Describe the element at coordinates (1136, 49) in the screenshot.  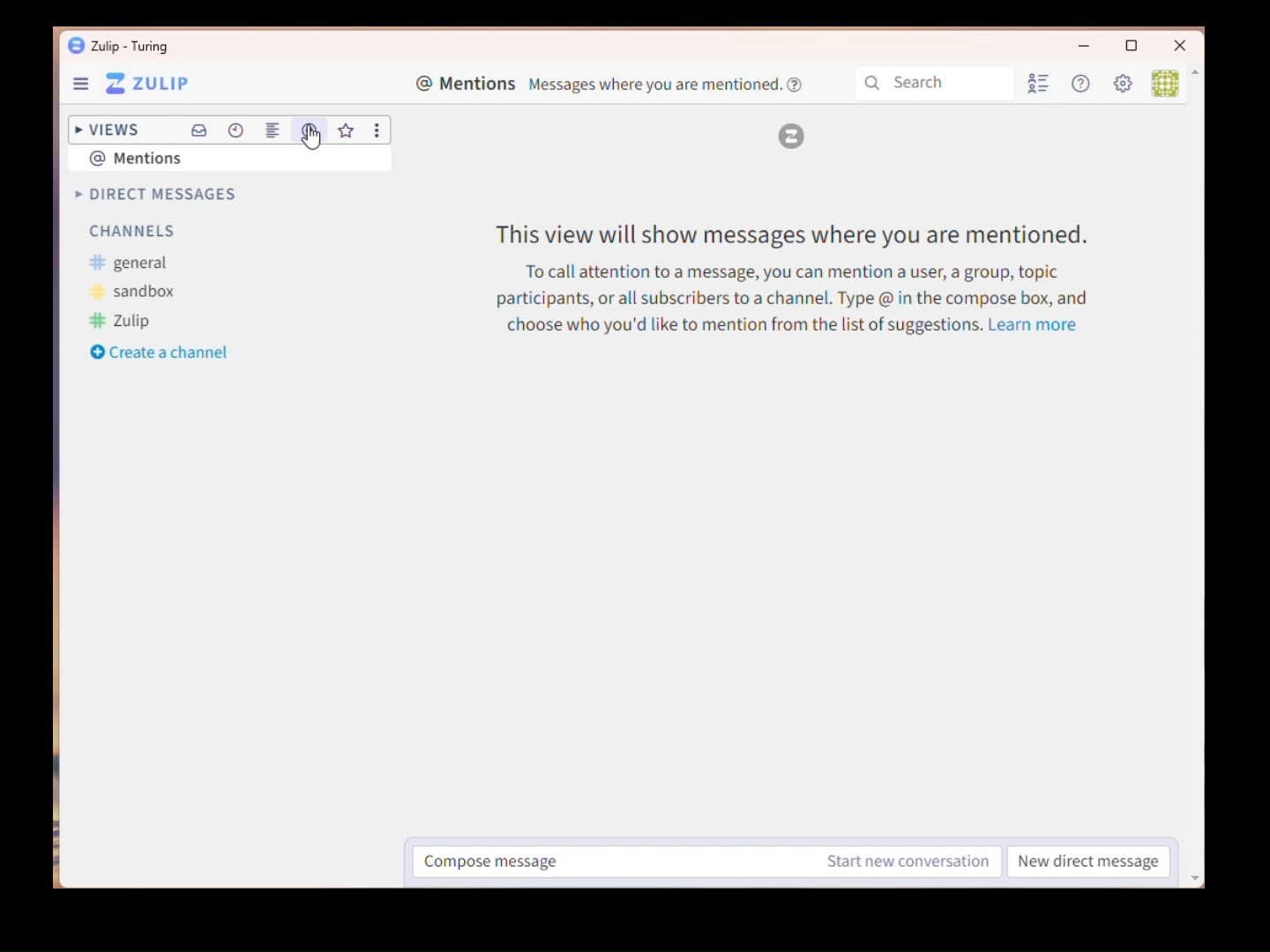
I see `Box` at that location.